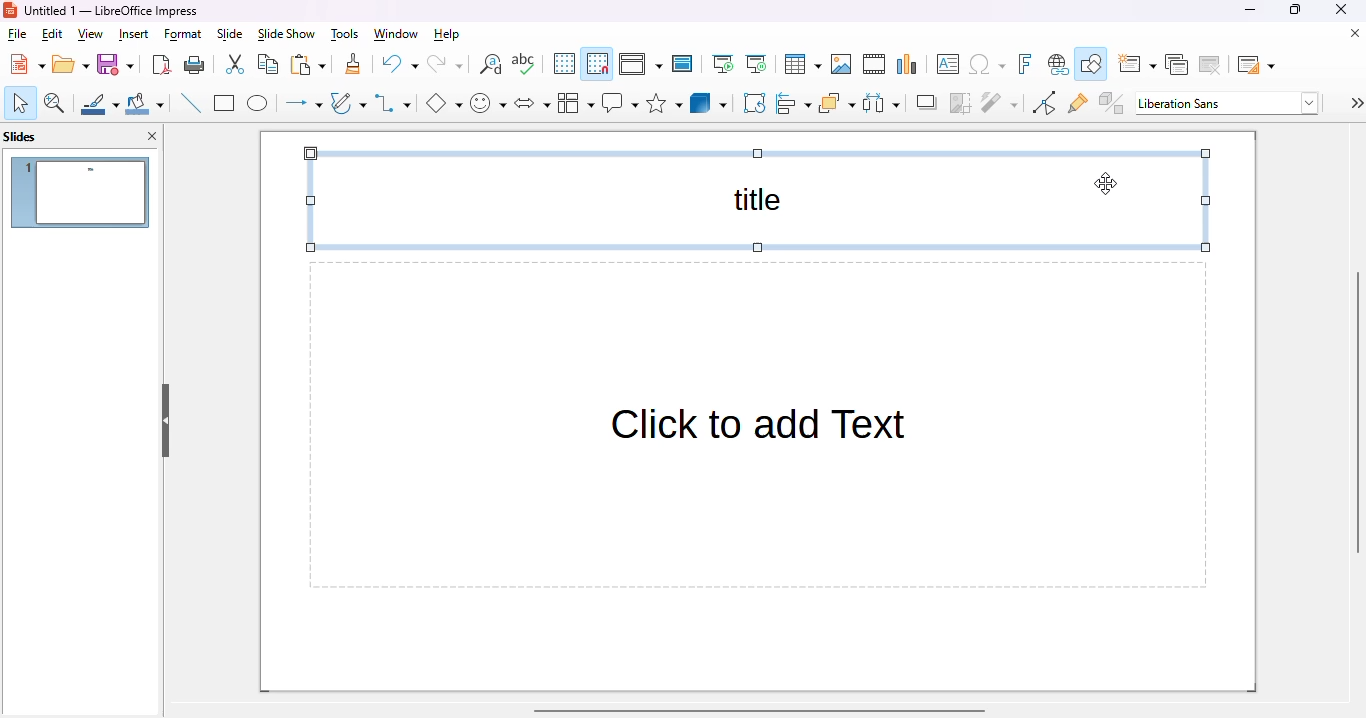 The image size is (1366, 718). Describe the element at coordinates (1000, 103) in the screenshot. I see `filter` at that location.